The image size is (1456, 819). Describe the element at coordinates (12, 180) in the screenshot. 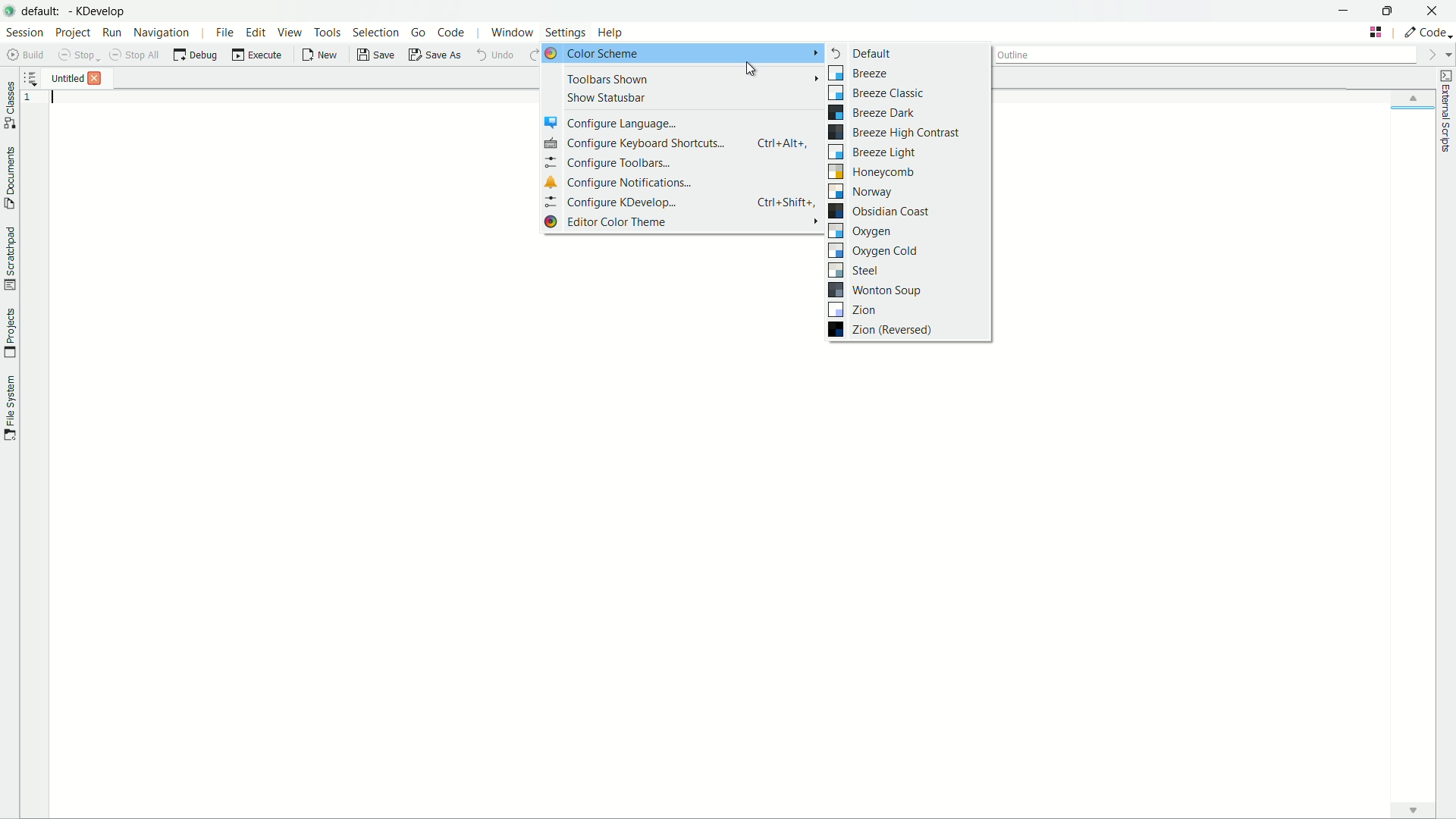

I see `toggle documents` at that location.